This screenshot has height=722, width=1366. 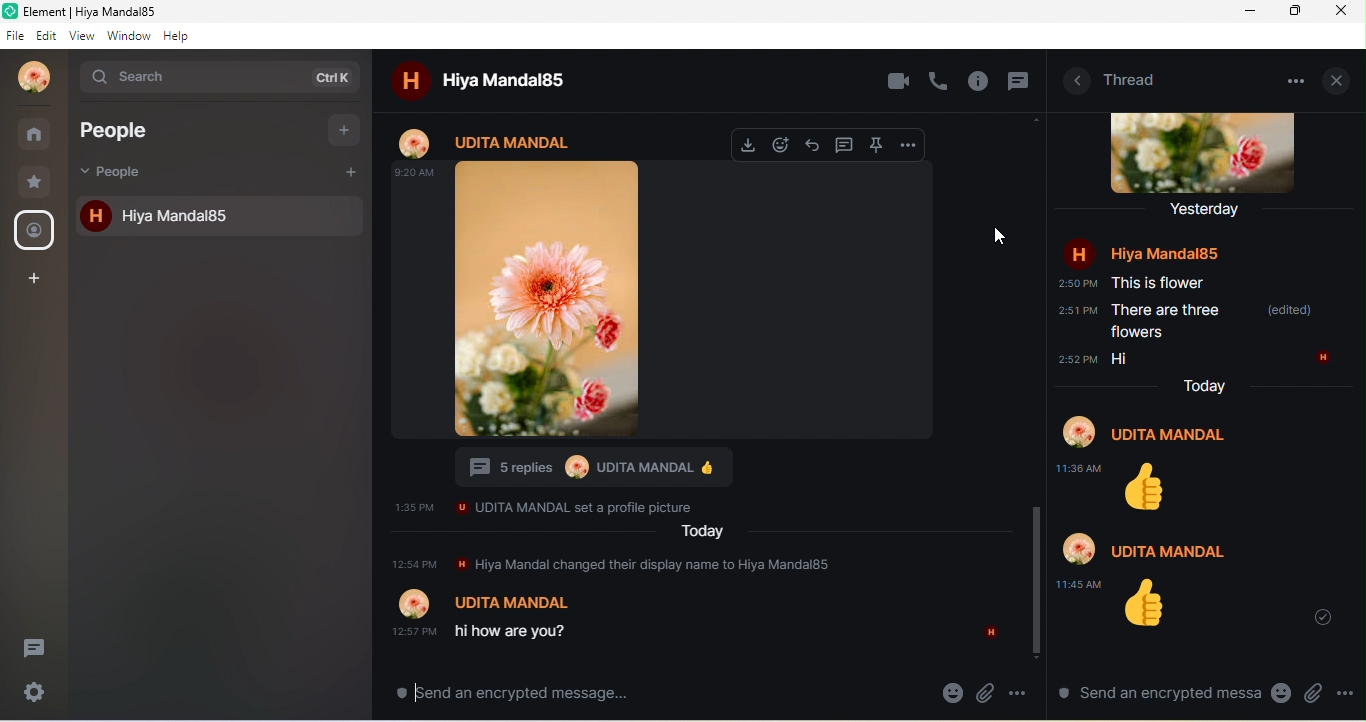 What do you see at coordinates (1323, 358) in the screenshot?
I see `H` at bounding box center [1323, 358].